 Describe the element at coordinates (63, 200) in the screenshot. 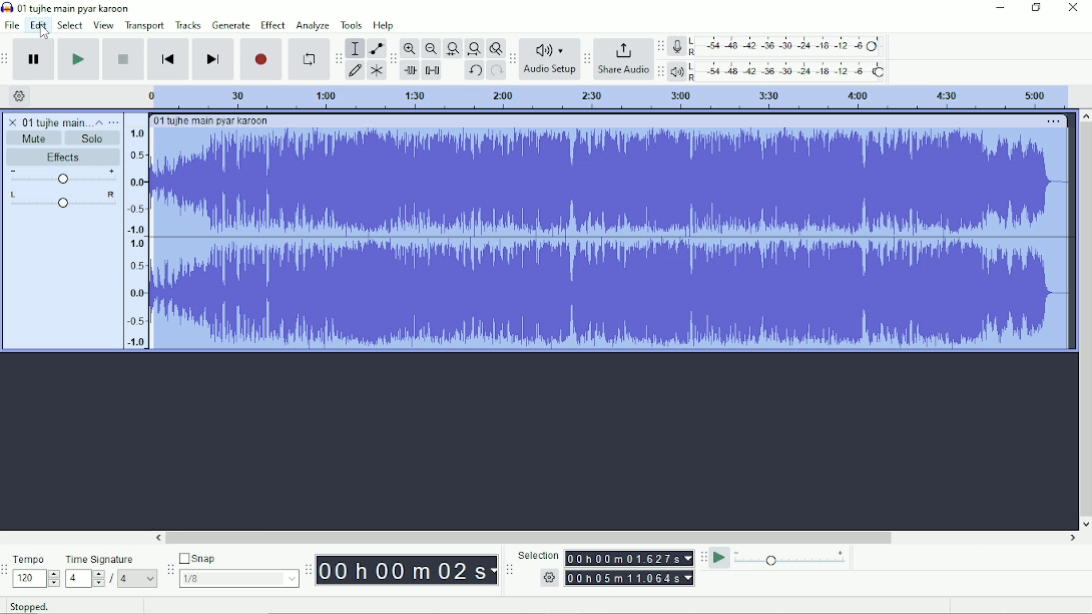

I see `Pan` at that location.